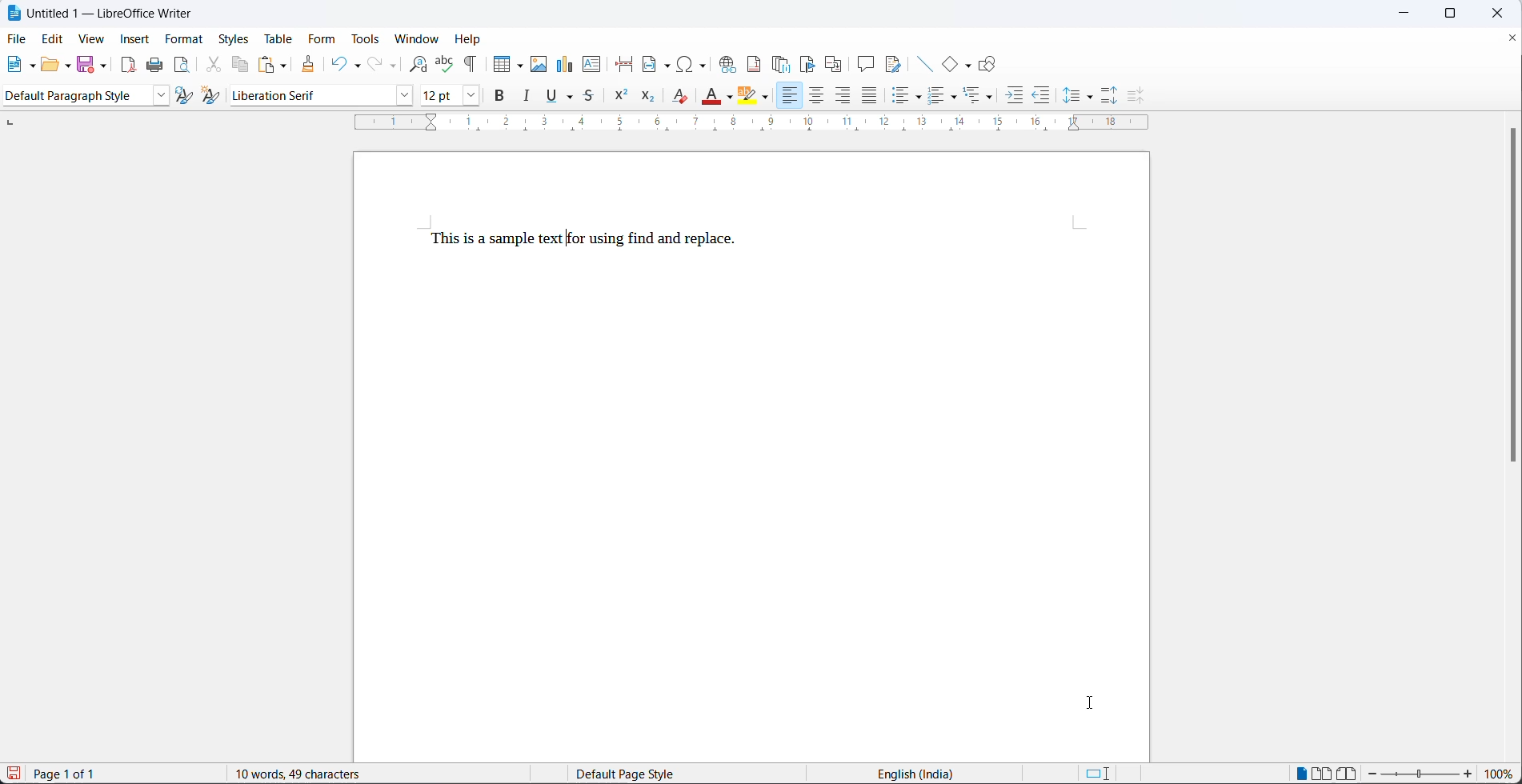 Image resolution: width=1522 pixels, height=784 pixels. What do you see at coordinates (696, 64) in the screenshot?
I see `insert special characters` at bounding box center [696, 64].